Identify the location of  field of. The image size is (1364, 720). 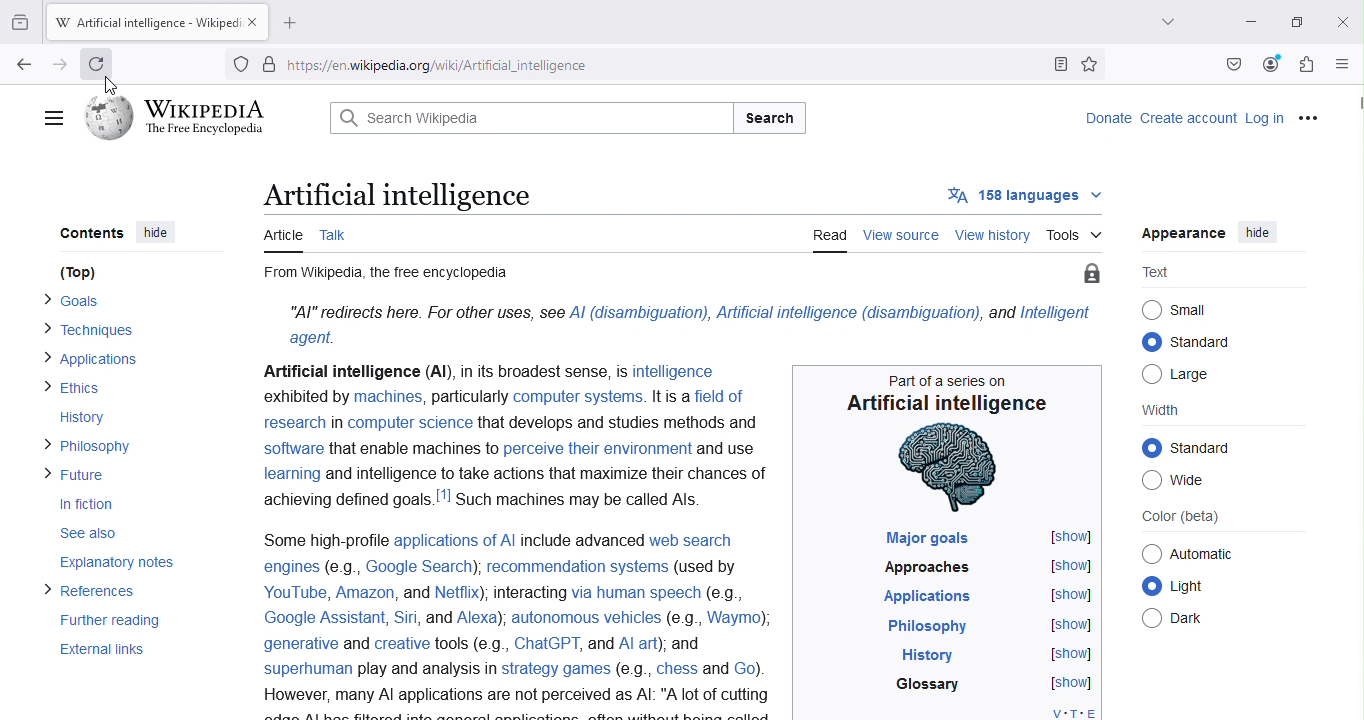
(723, 399).